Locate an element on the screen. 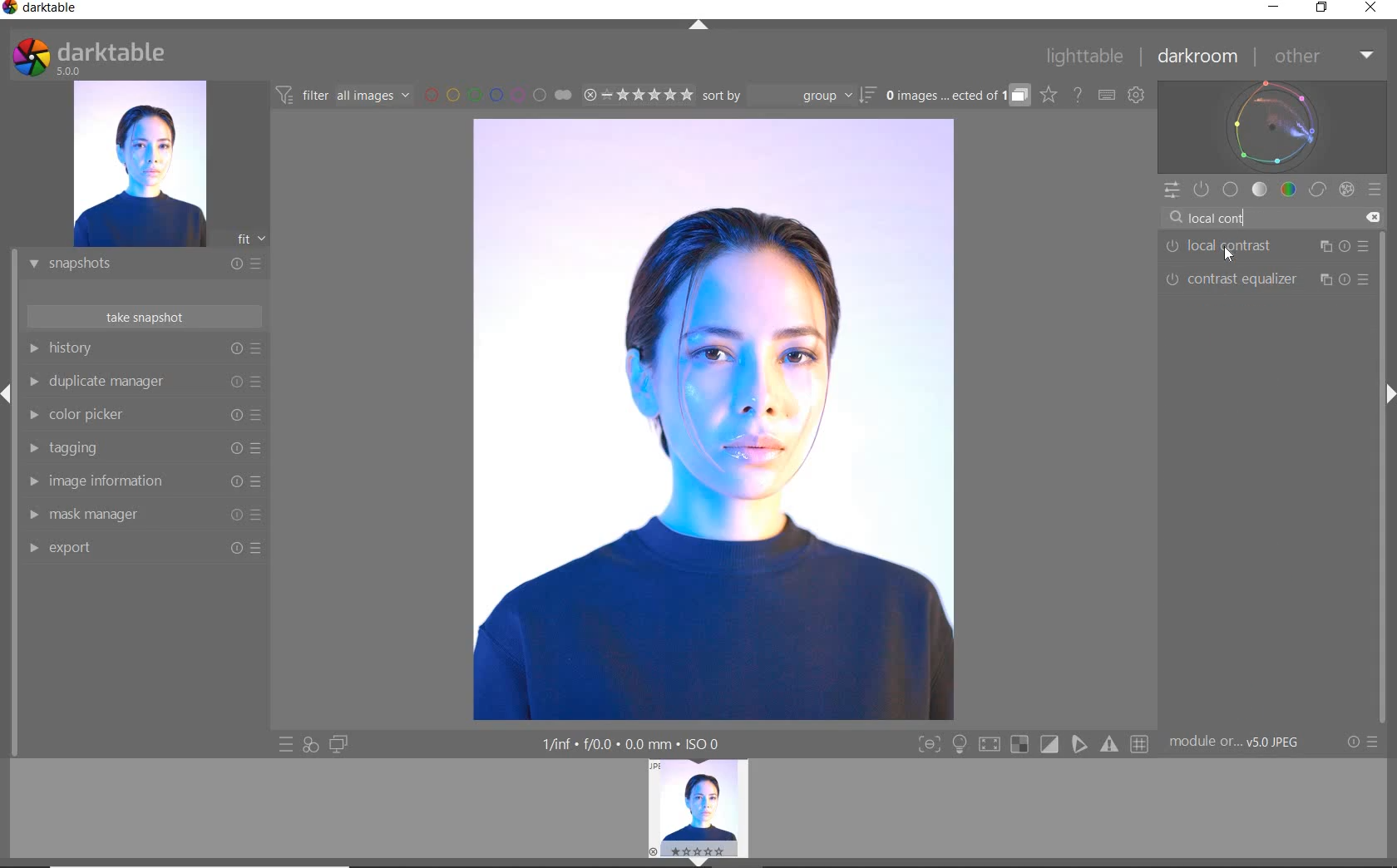 The height and width of the screenshot is (868, 1397). LIGHTTABLE is located at coordinates (1085, 59).